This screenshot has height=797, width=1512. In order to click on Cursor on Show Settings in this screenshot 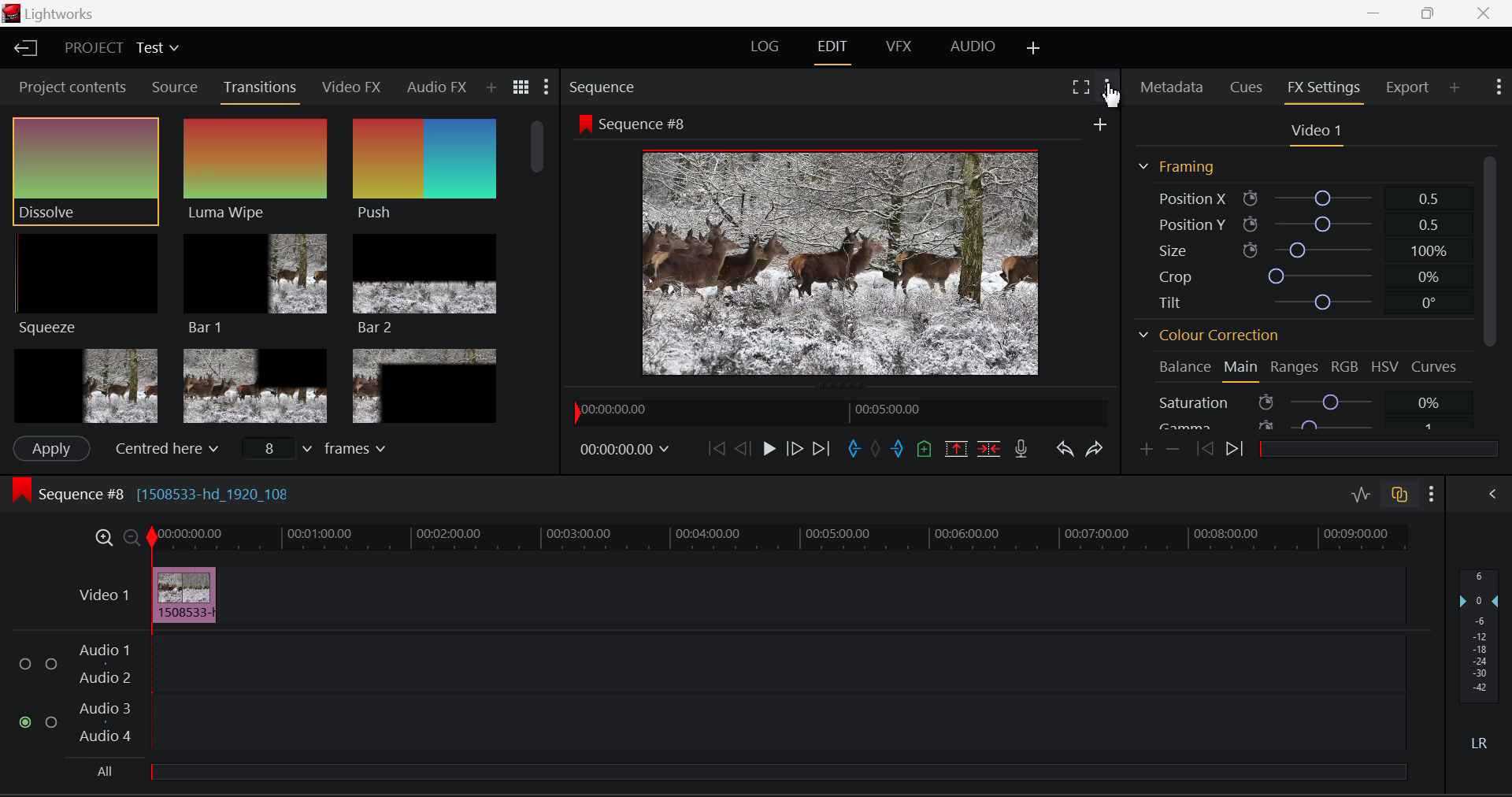, I will do `click(1107, 87)`.